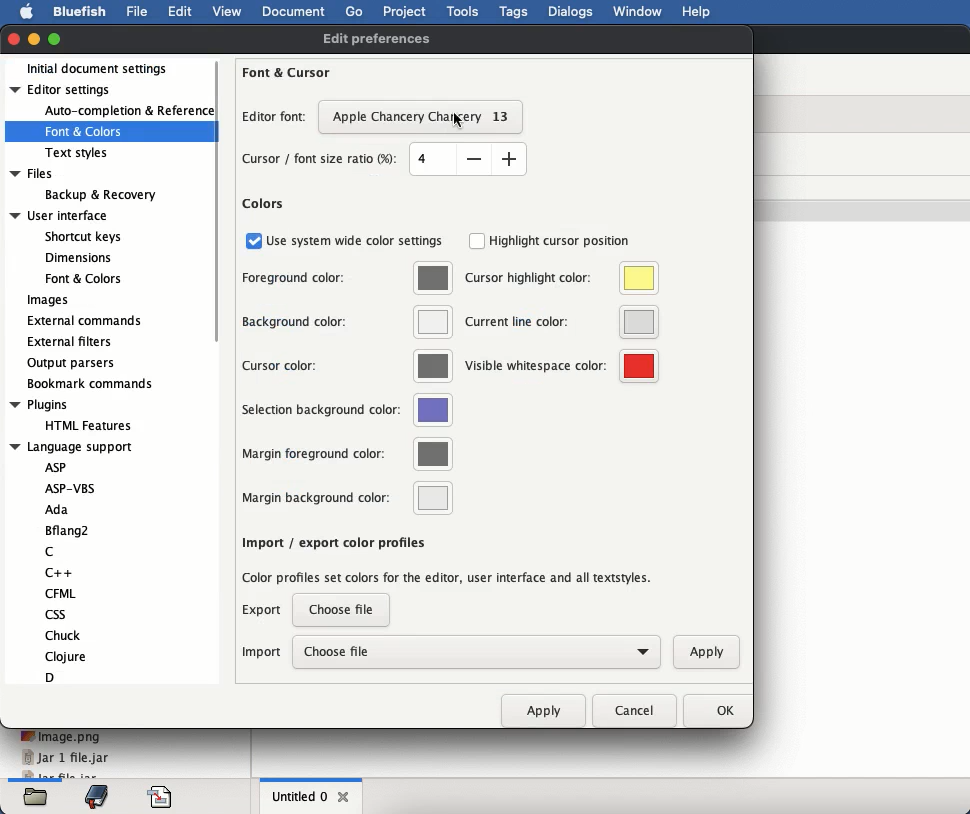  Describe the element at coordinates (262, 652) in the screenshot. I see `import` at that location.